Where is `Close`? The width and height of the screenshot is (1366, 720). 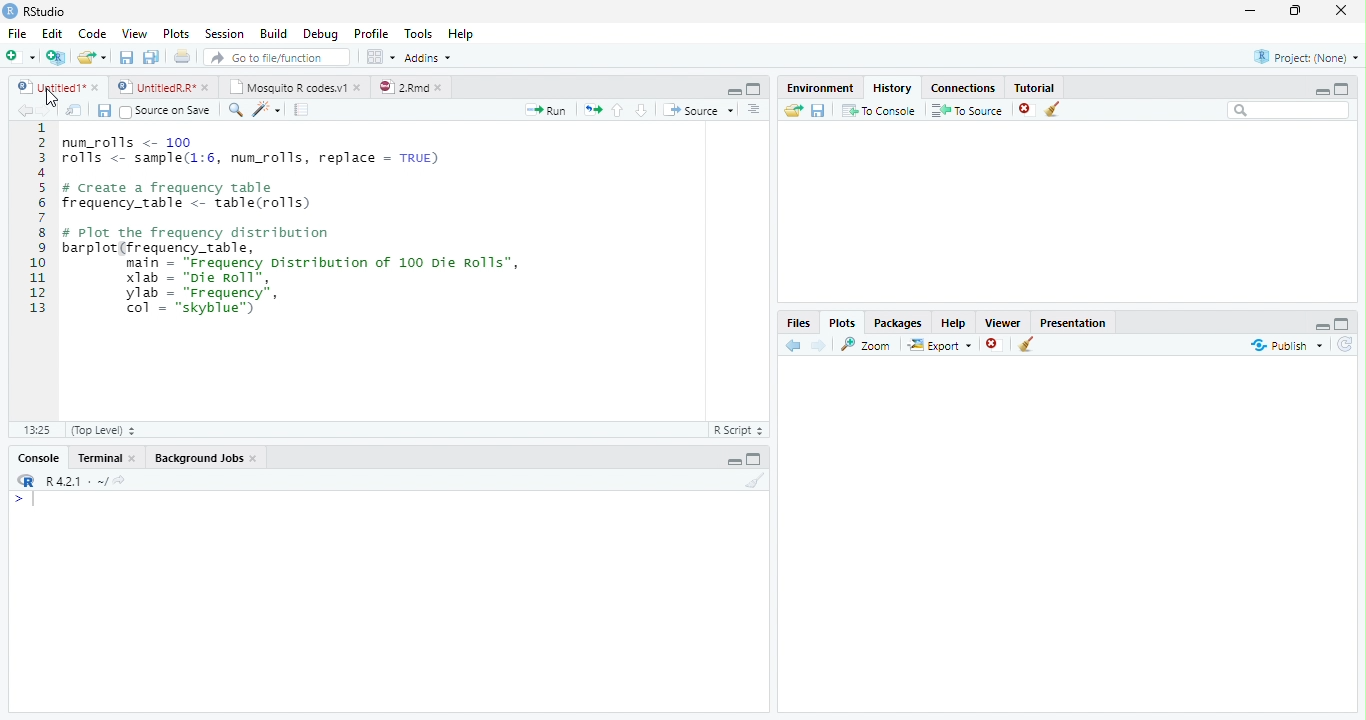 Close is located at coordinates (1343, 11).